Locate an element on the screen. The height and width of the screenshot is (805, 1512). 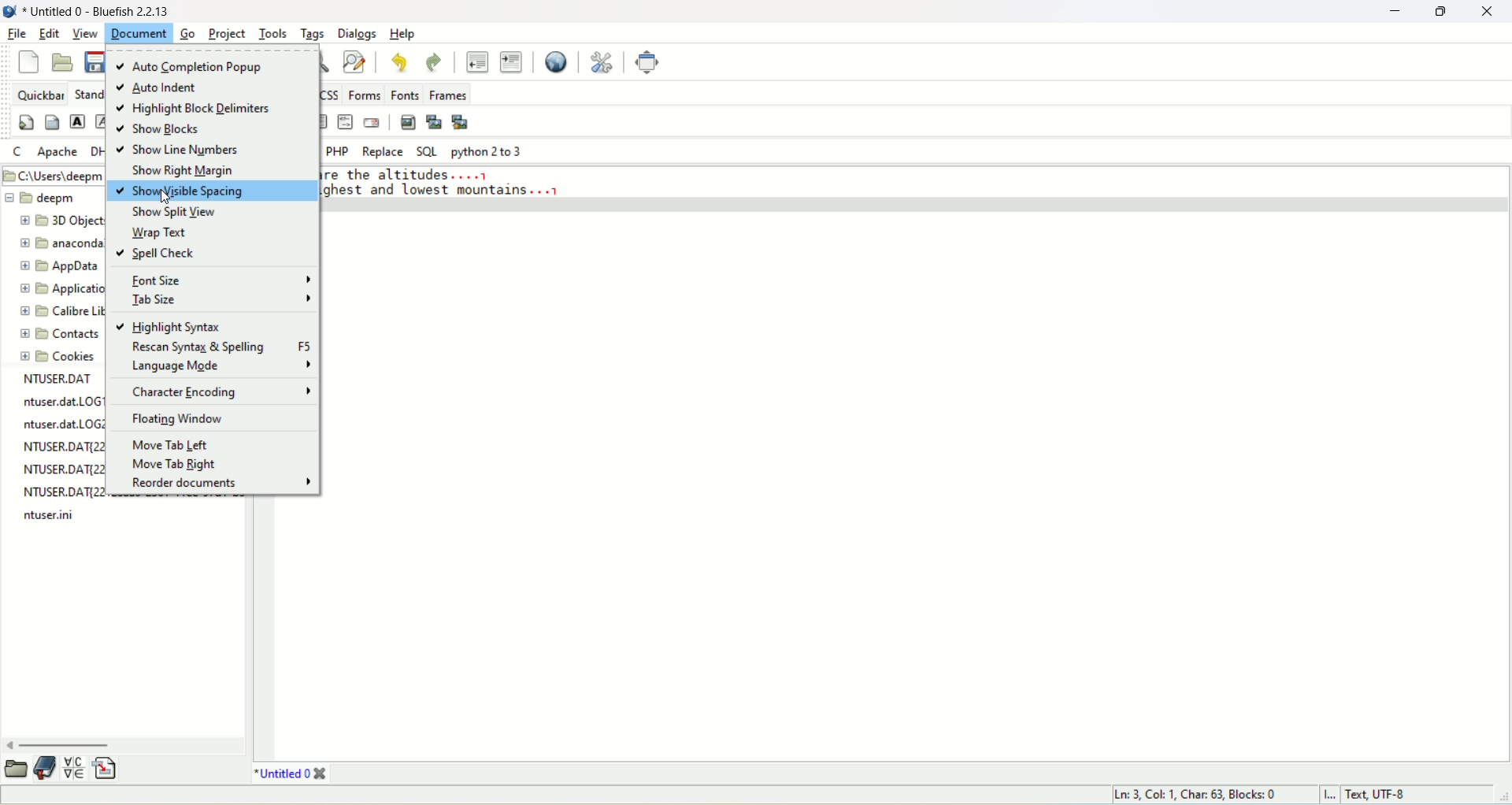
application is located at coordinates (61, 291).